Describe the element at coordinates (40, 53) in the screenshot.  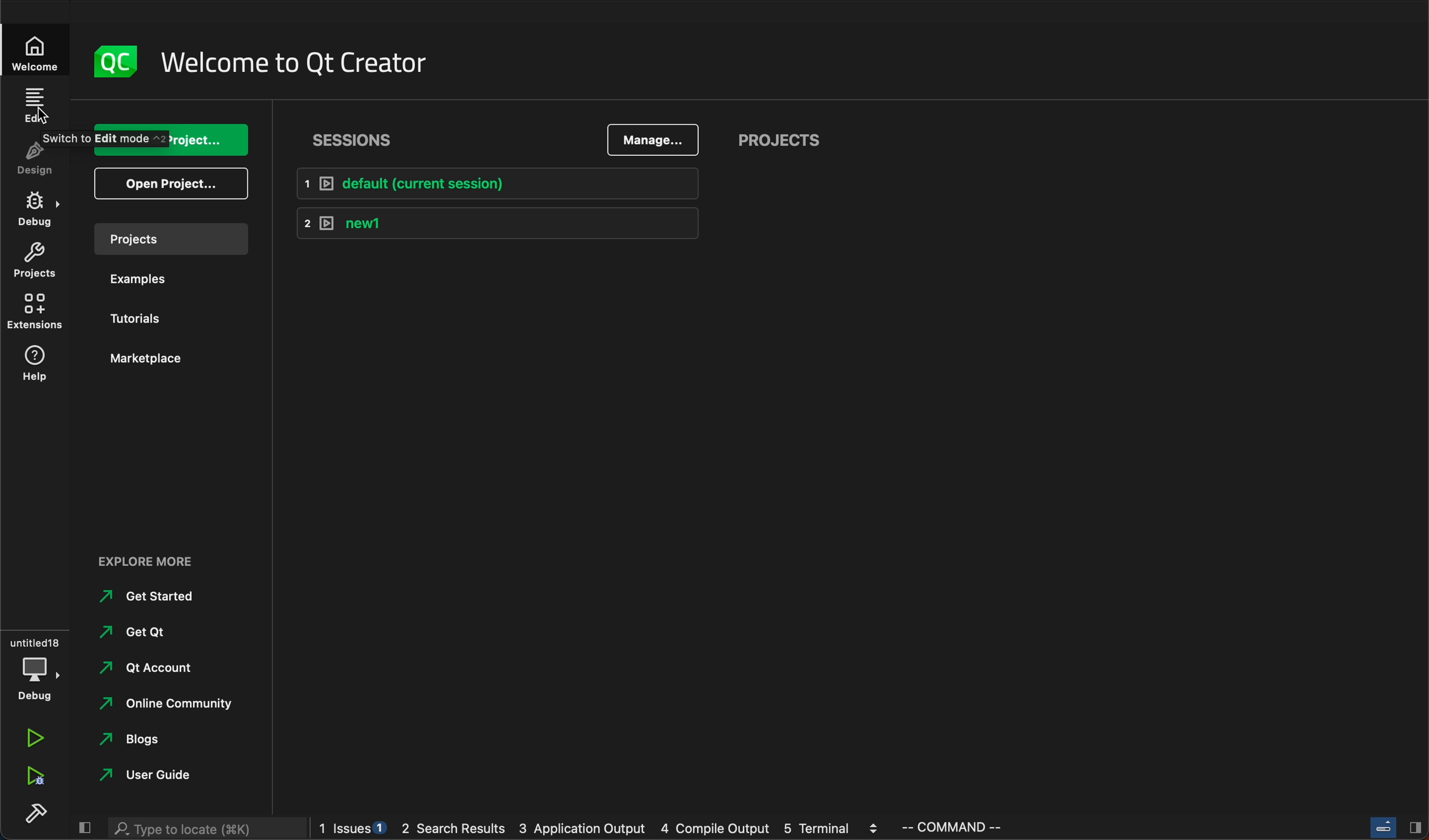
I see `welcome` at that location.